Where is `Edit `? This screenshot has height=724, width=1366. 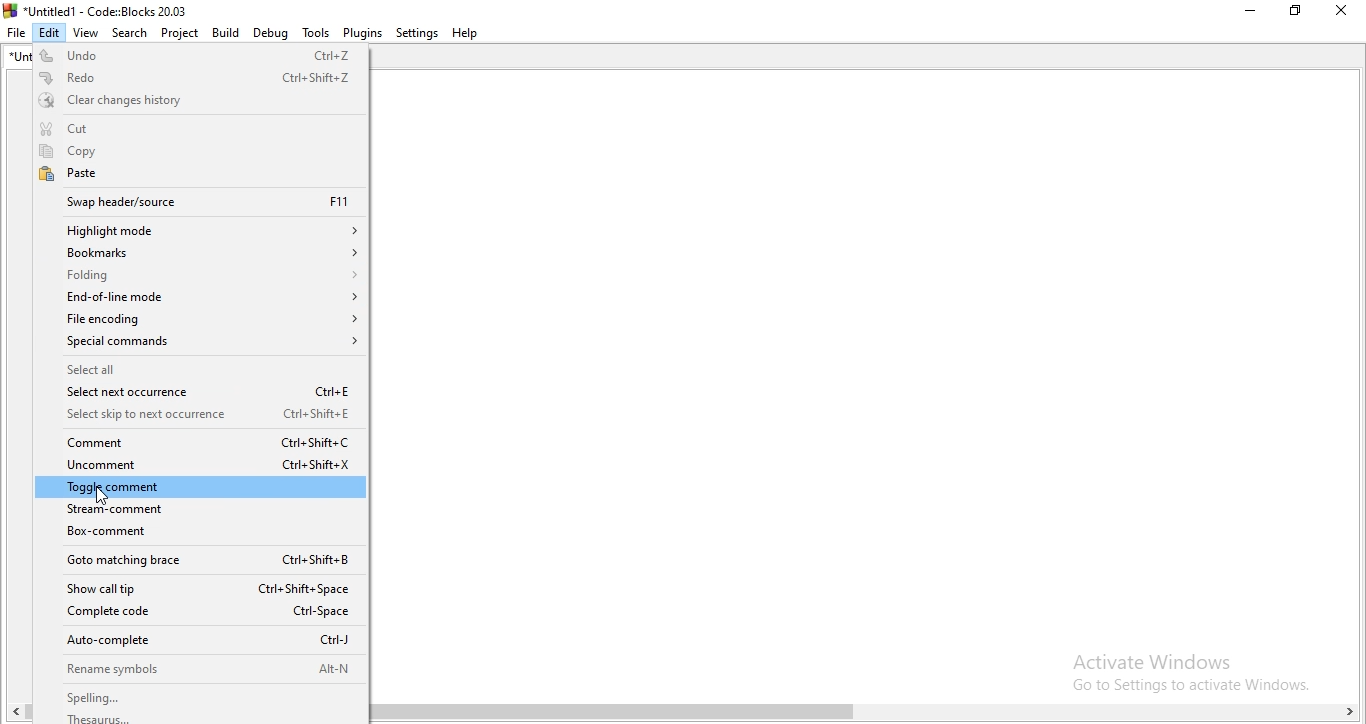
Edit  is located at coordinates (49, 33).